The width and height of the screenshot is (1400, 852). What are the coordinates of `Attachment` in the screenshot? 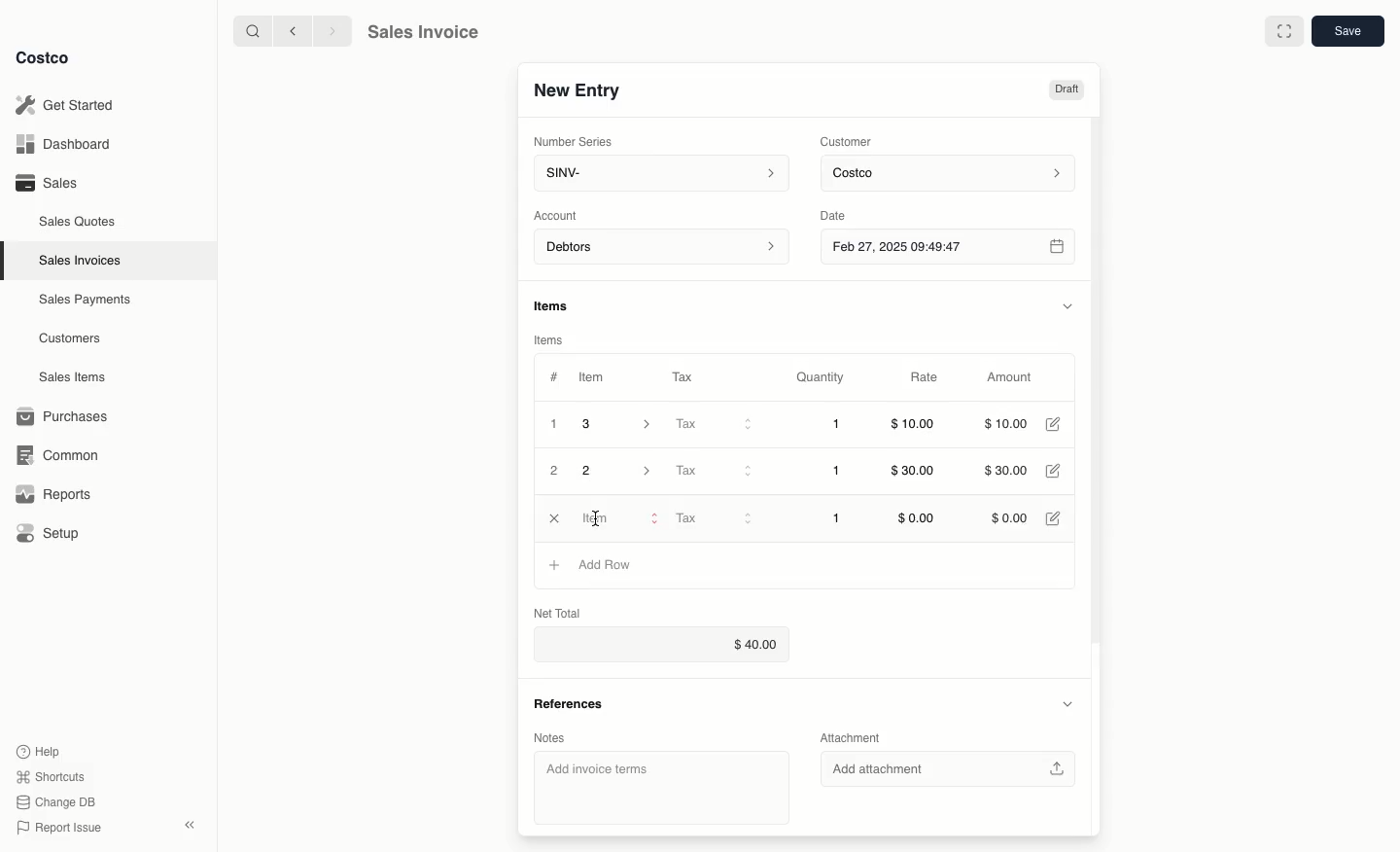 It's located at (856, 736).